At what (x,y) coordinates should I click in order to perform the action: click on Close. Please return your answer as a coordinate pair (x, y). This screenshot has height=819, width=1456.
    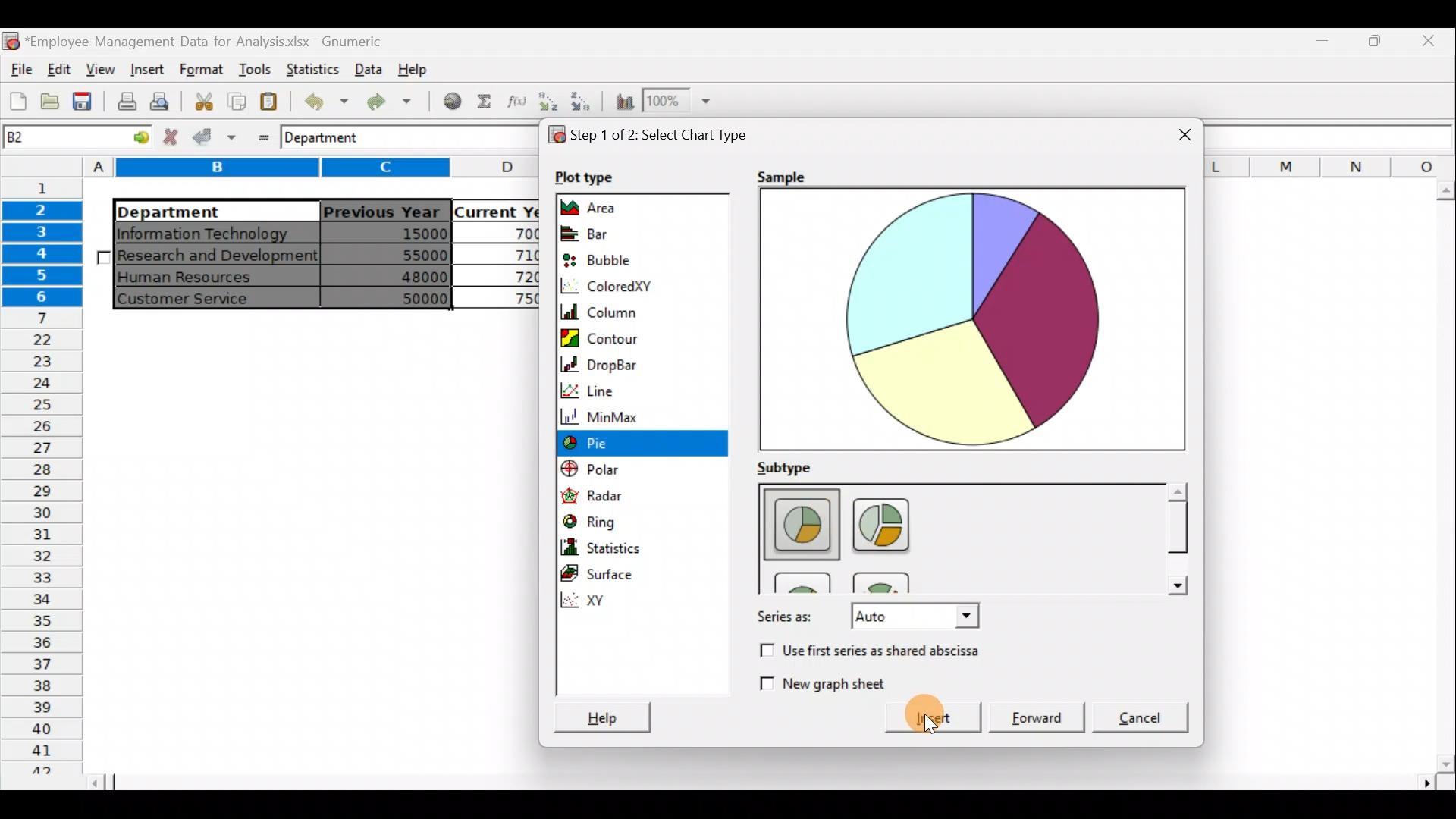
    Looking at the image, I should click on (1173, 130).